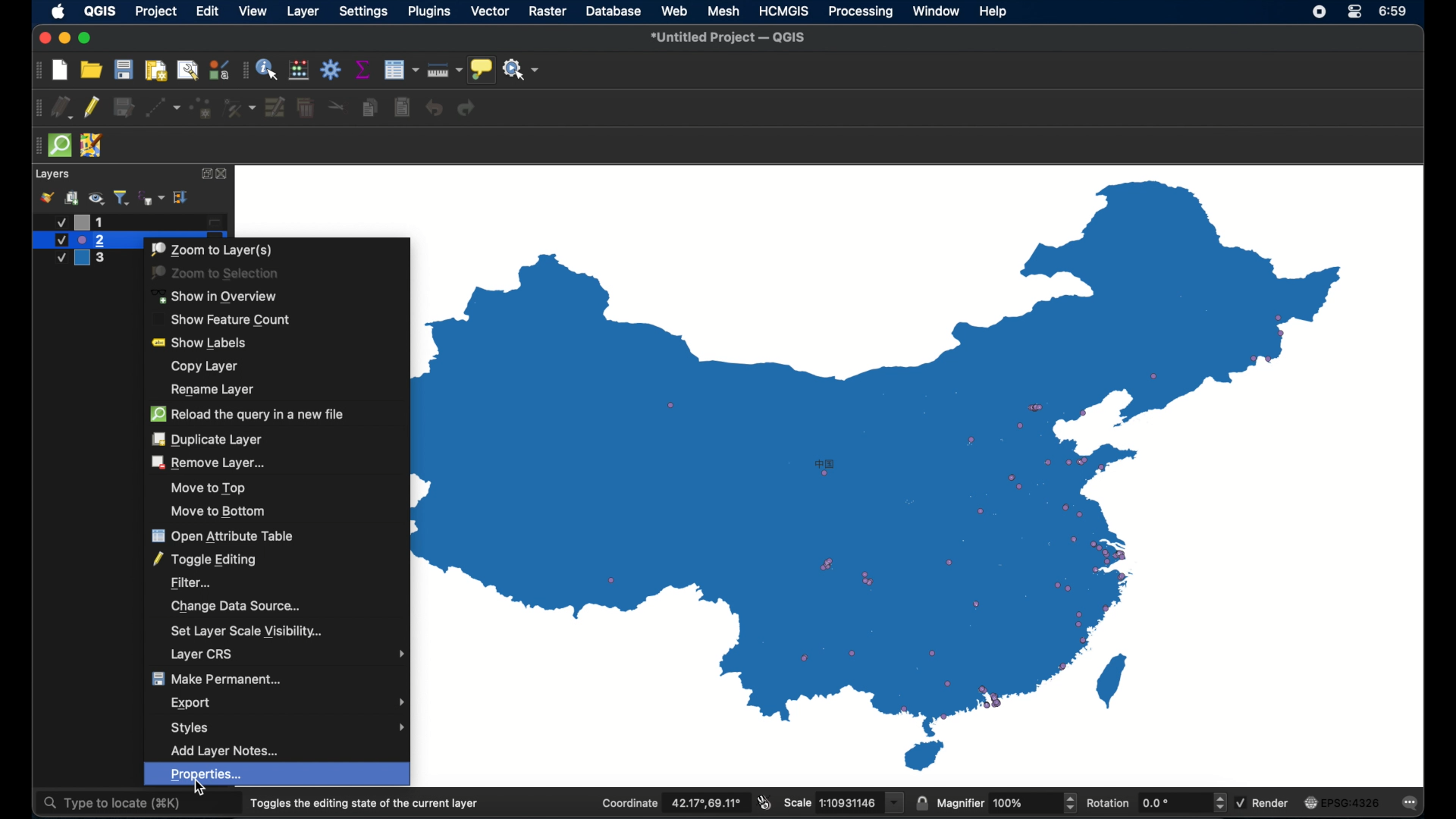 Image resolution: width=1456 pixels, height=819 pixels. What do you see at coordinates (433, 108) in the screenshot?
I see `undo` at bounding box center [433, 108].